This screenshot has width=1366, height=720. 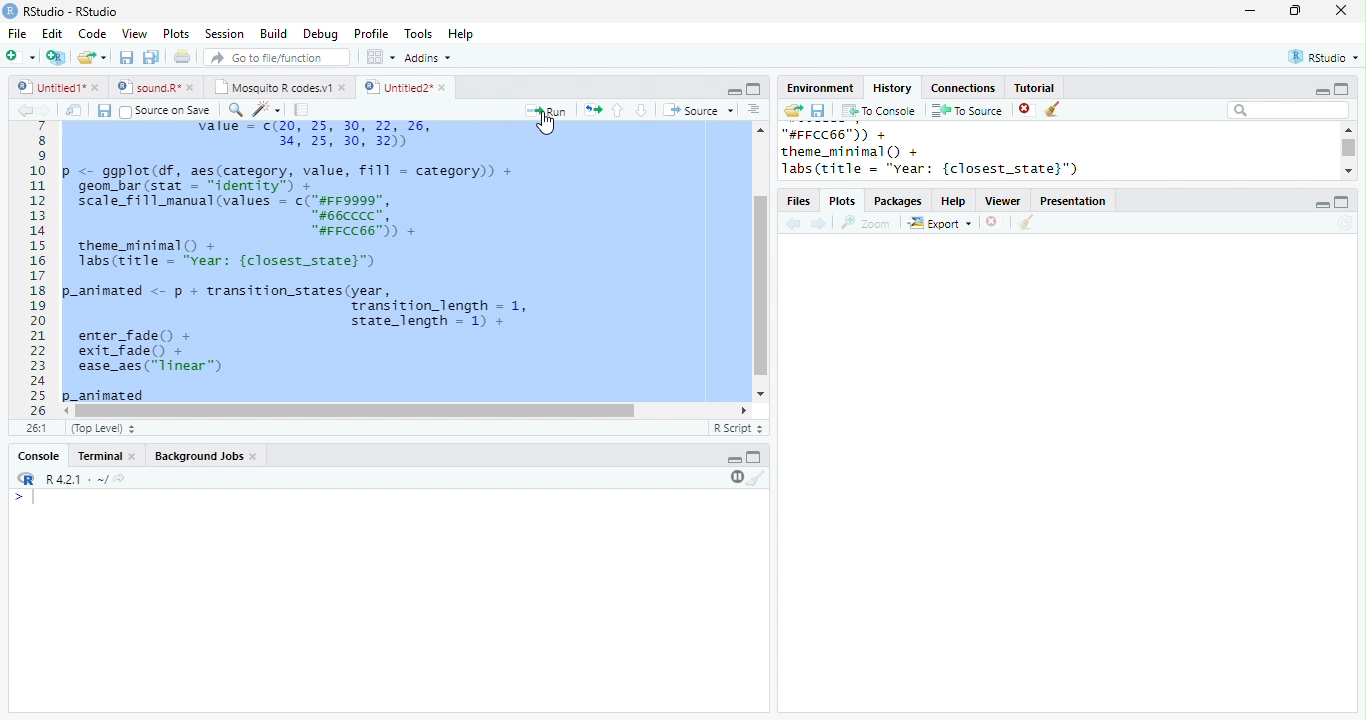 What do you see at coordinates (1324, 56) in the screenshot?
I see `RStudio` at bounding box center [1324, 56].